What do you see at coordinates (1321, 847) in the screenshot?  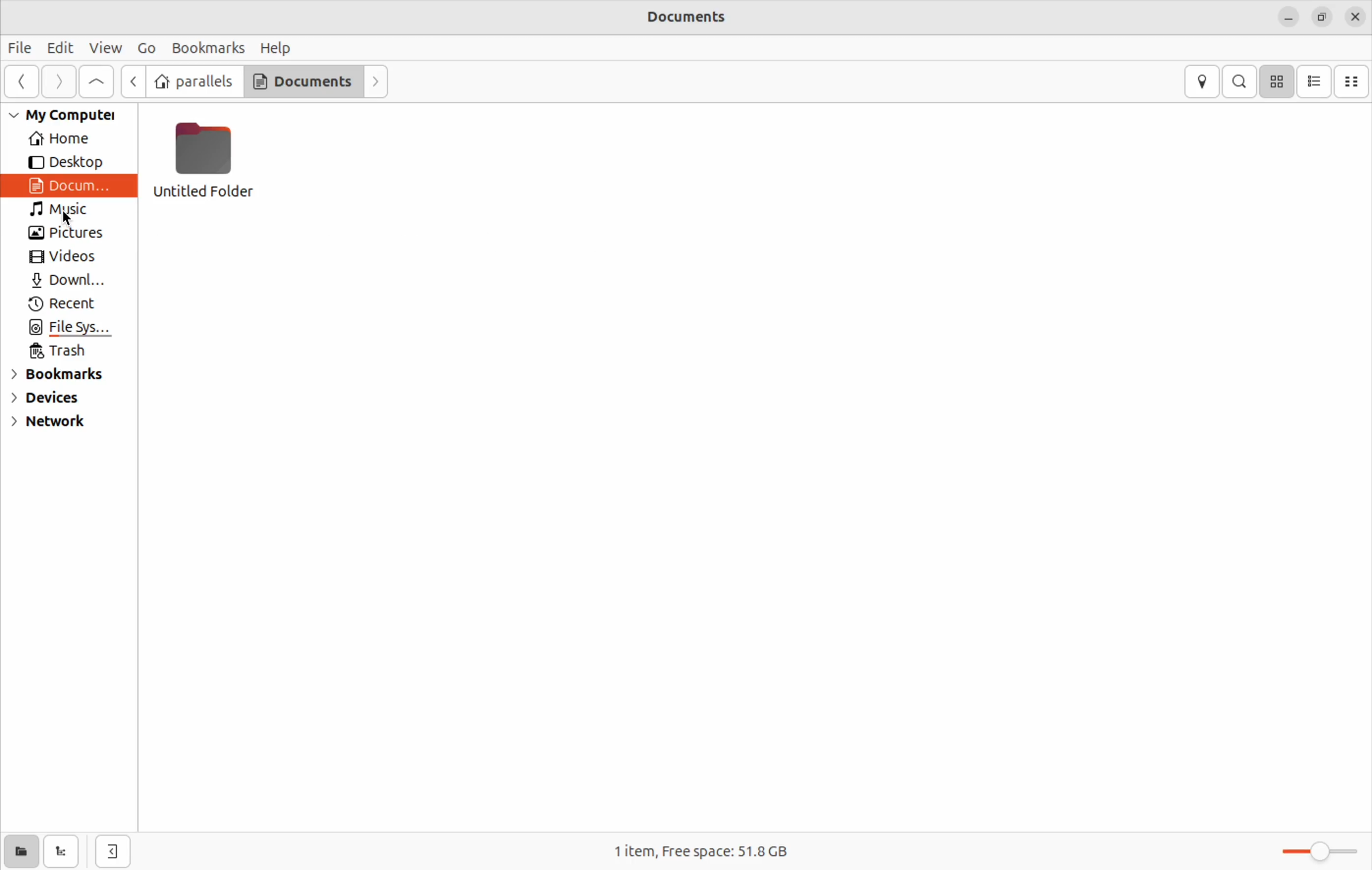 I see `toggle zoom` at bounding box center [1321, 847].